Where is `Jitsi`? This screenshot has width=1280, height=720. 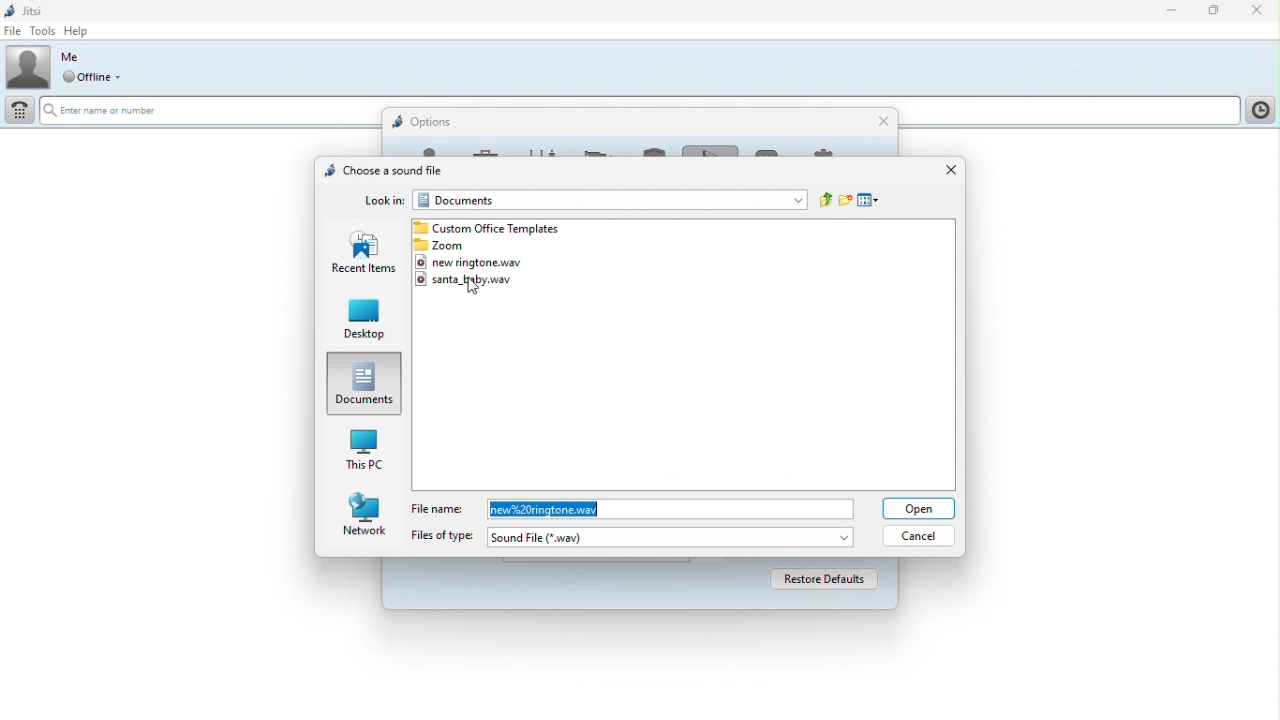
Jitsi is located at coordinates (26, 9).